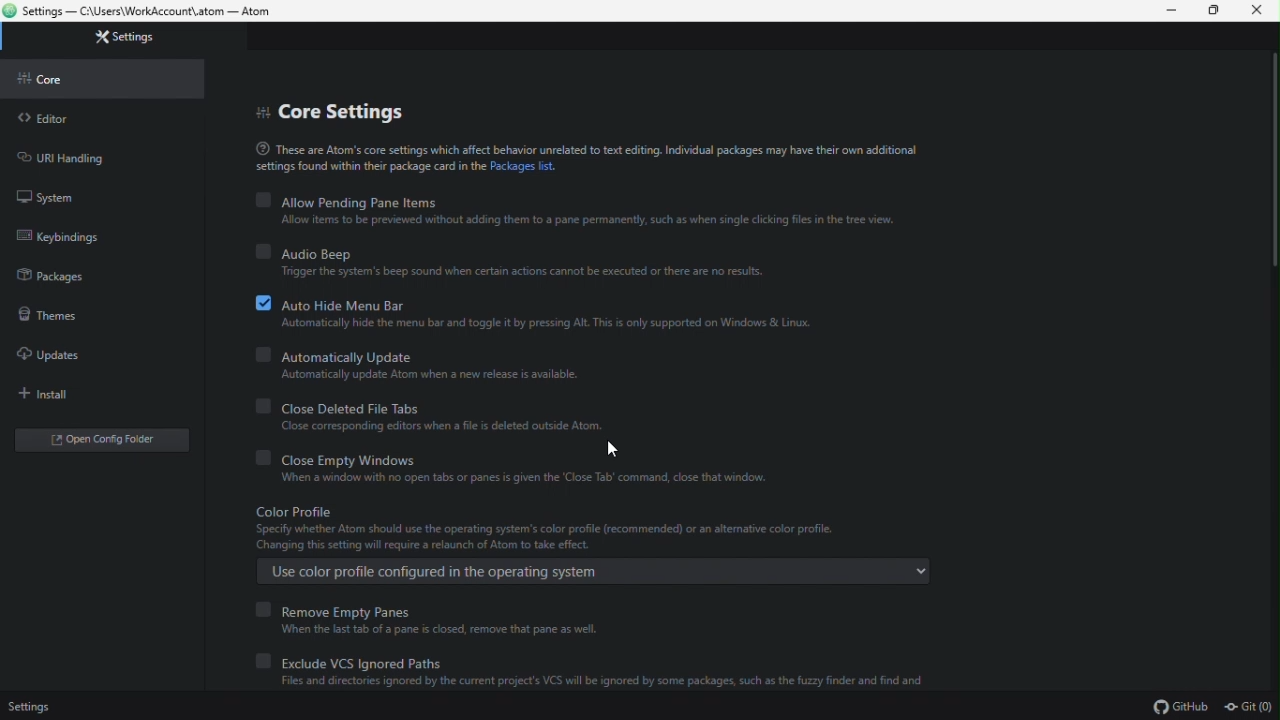 The image size is (1280, 720). Describe the element at coordinates (98, 237) in the screenshot. I see `keybindings` at that location.